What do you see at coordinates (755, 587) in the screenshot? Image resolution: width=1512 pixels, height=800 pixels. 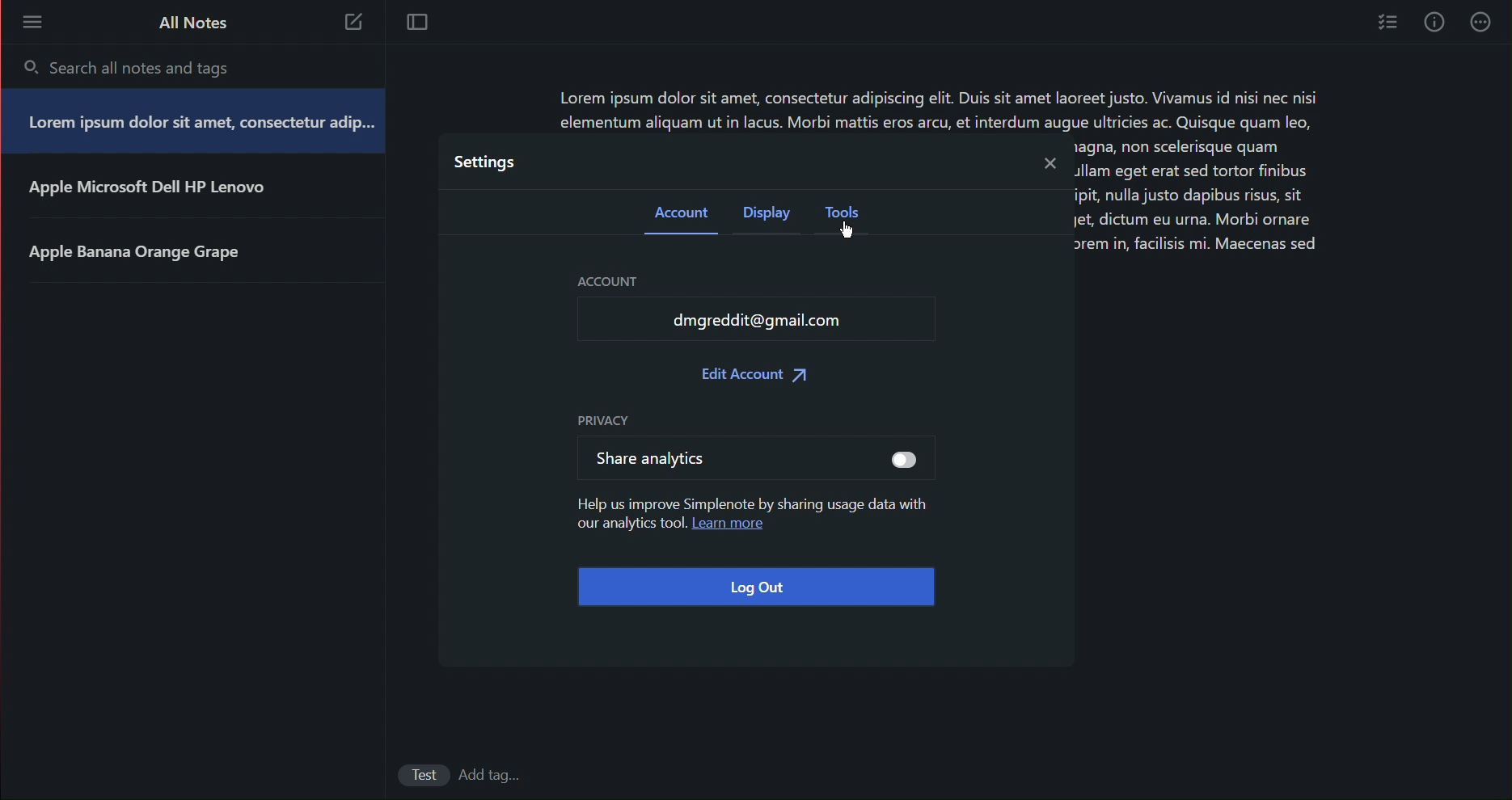 I see `Log Out` at bounding box center [755, 587].